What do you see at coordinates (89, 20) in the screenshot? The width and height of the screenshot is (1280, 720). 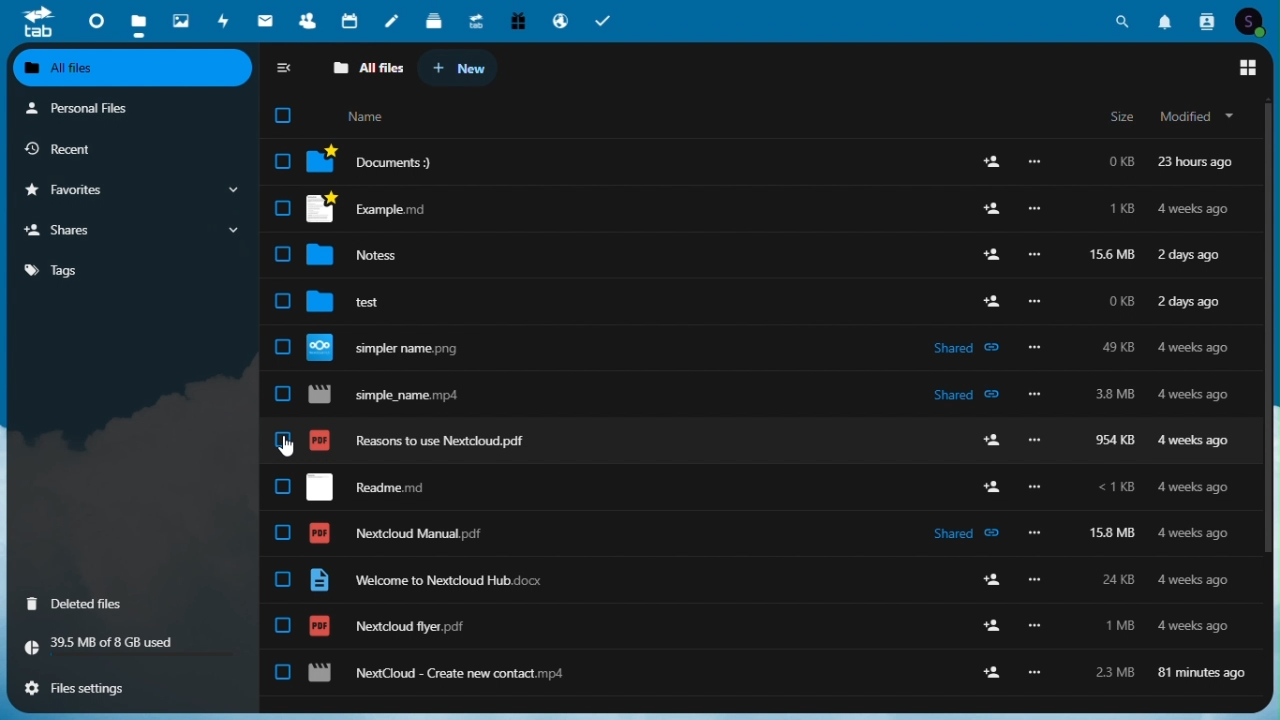 I see `dashboard` at bounding box center [89, 20].